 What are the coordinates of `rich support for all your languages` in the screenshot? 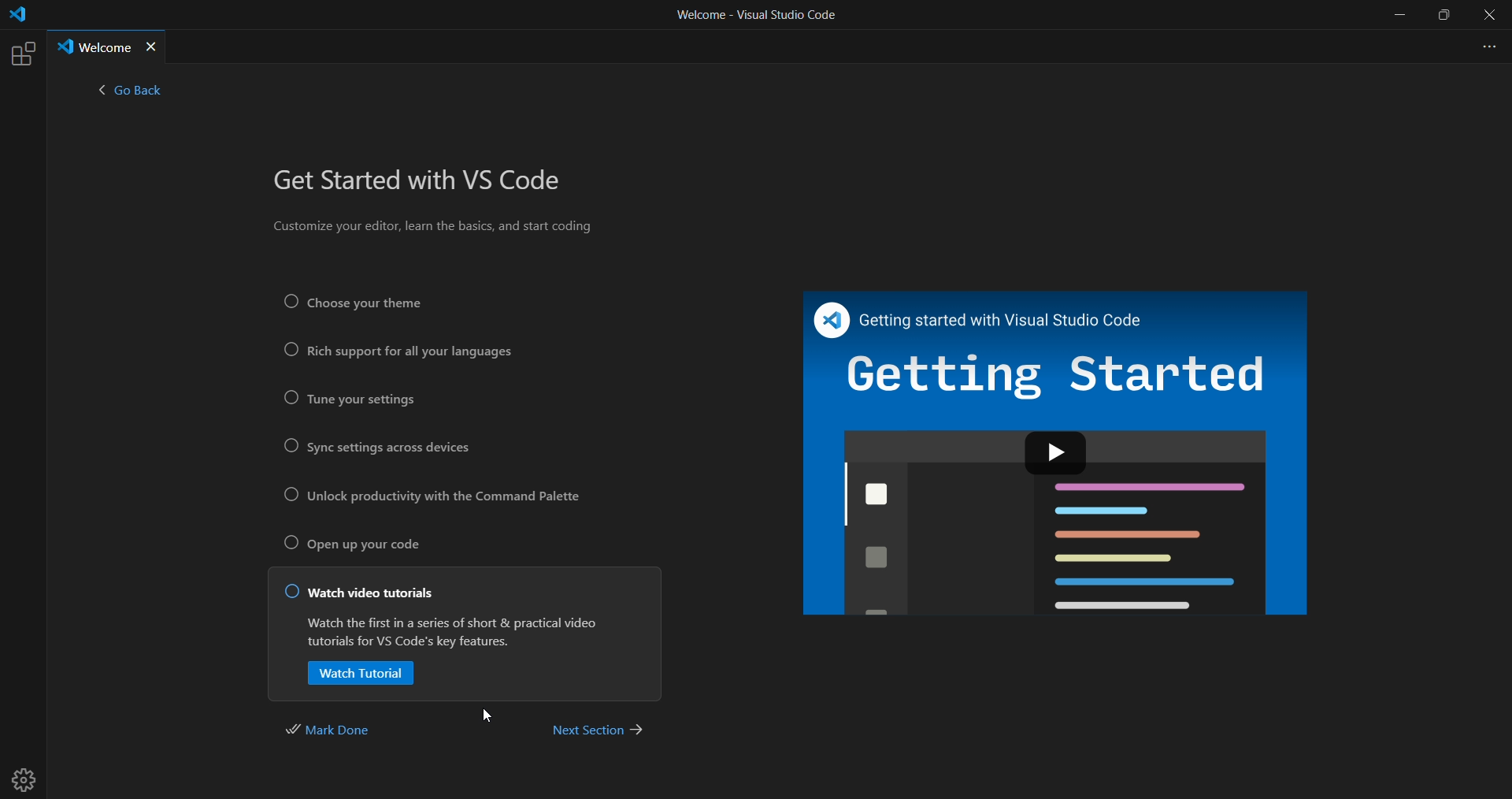 It's located at (397, 353).